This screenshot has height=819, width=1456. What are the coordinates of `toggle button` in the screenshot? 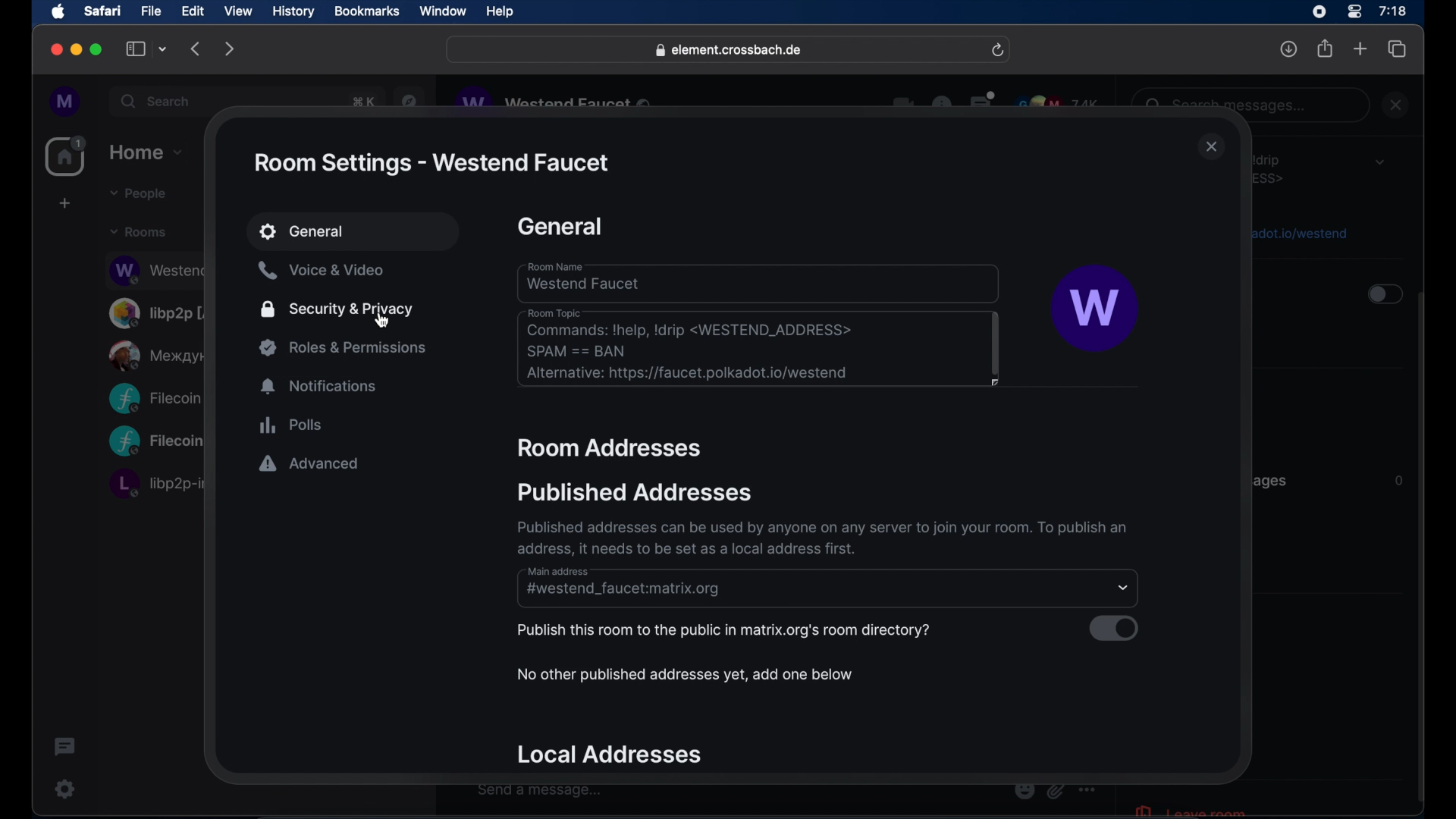 It's located at (1114, 628).